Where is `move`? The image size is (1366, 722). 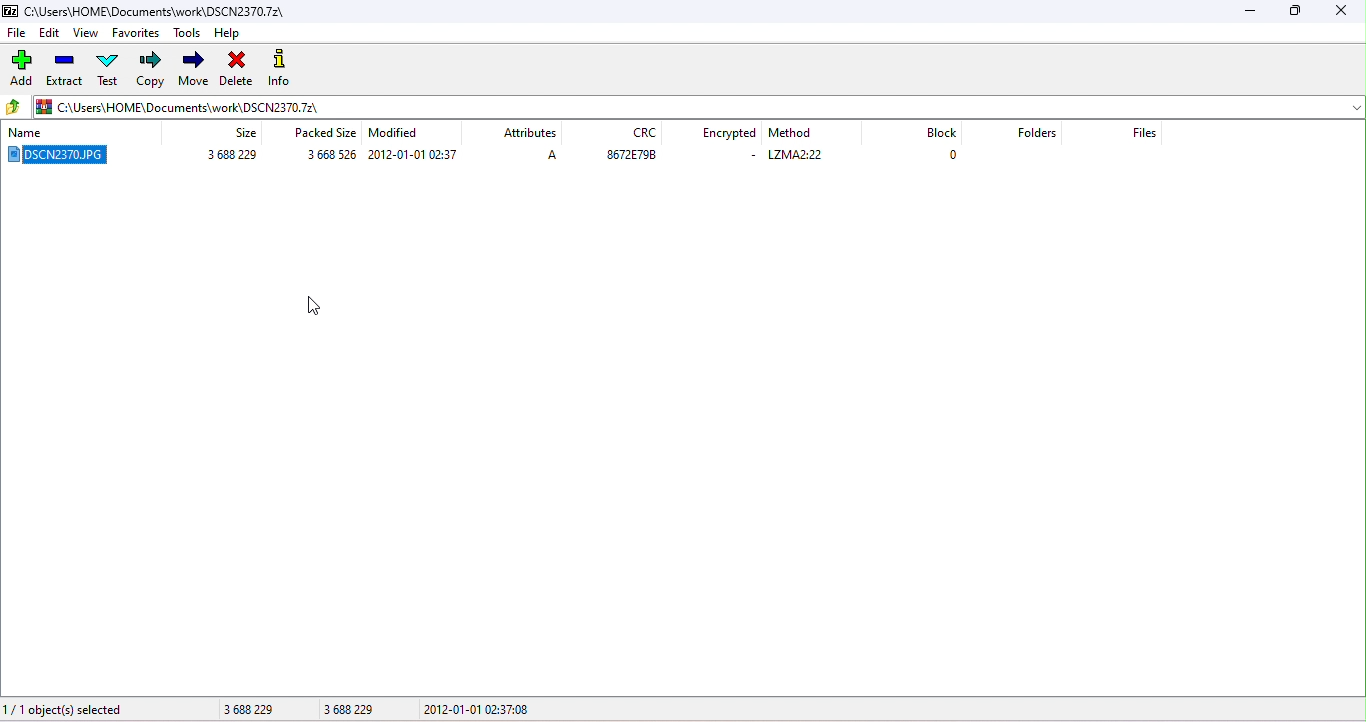
move is located at coordinates (195, 68).